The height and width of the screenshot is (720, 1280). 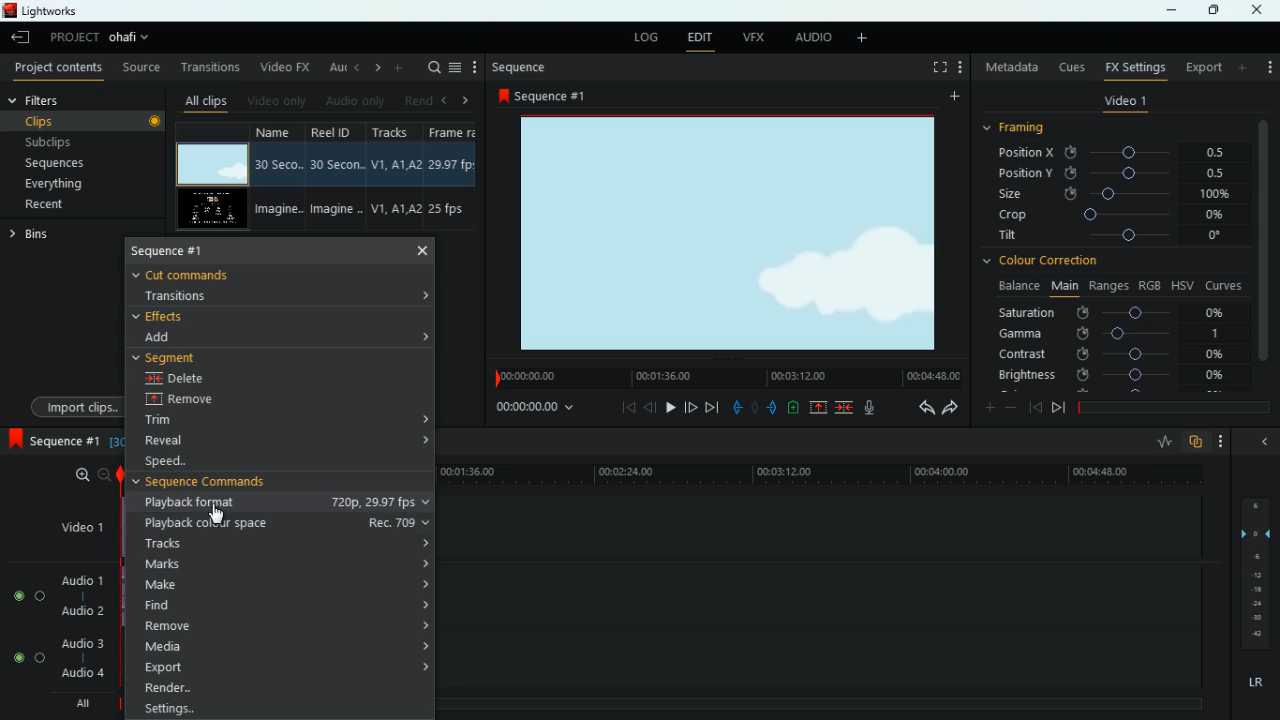 What do you see at coordinates (924, 407) in the screenshot?
I see `back` at bounding box center [924, 407].